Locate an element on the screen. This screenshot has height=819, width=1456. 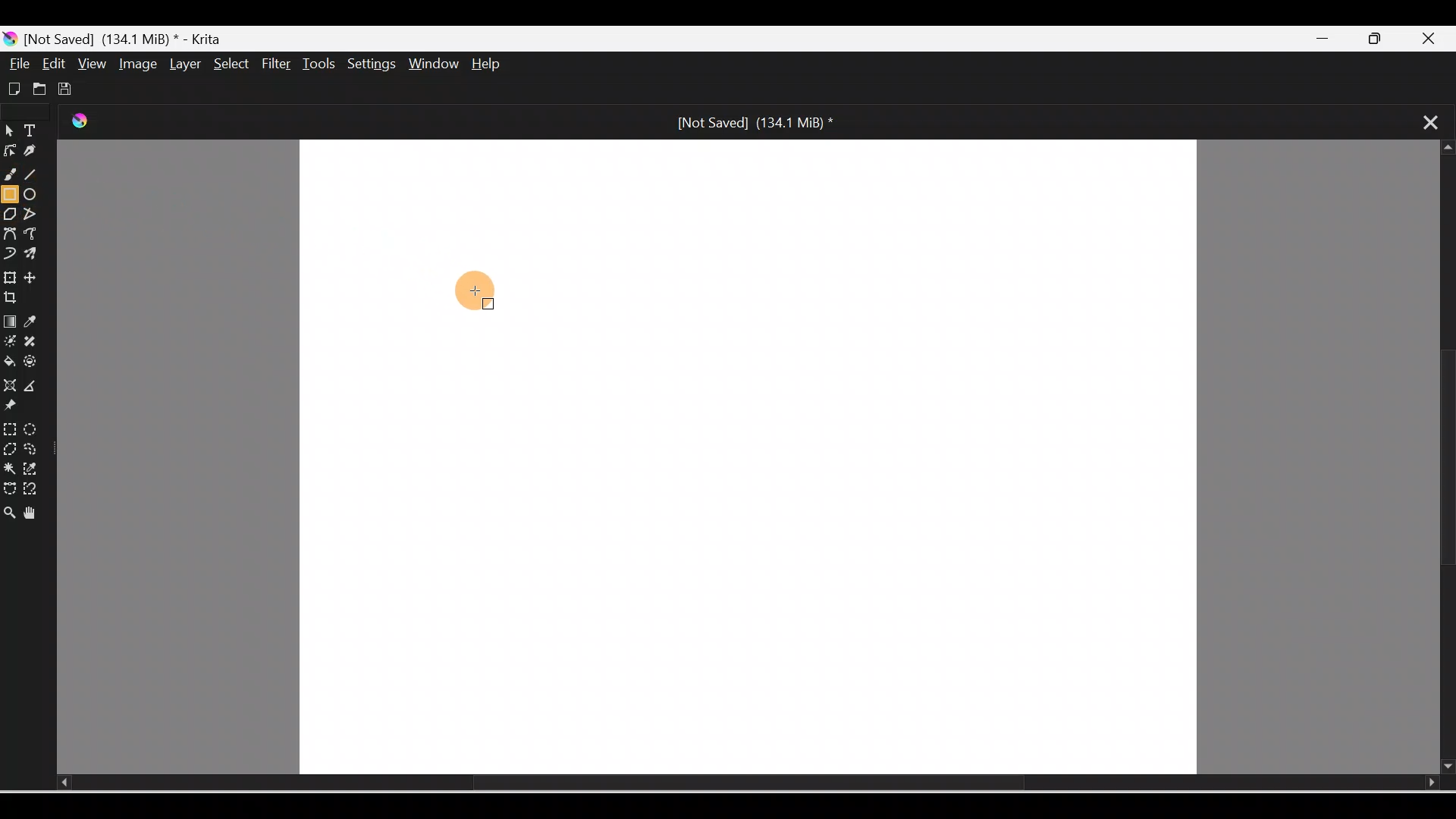
Crop an image is located at coordinates (17, 298).